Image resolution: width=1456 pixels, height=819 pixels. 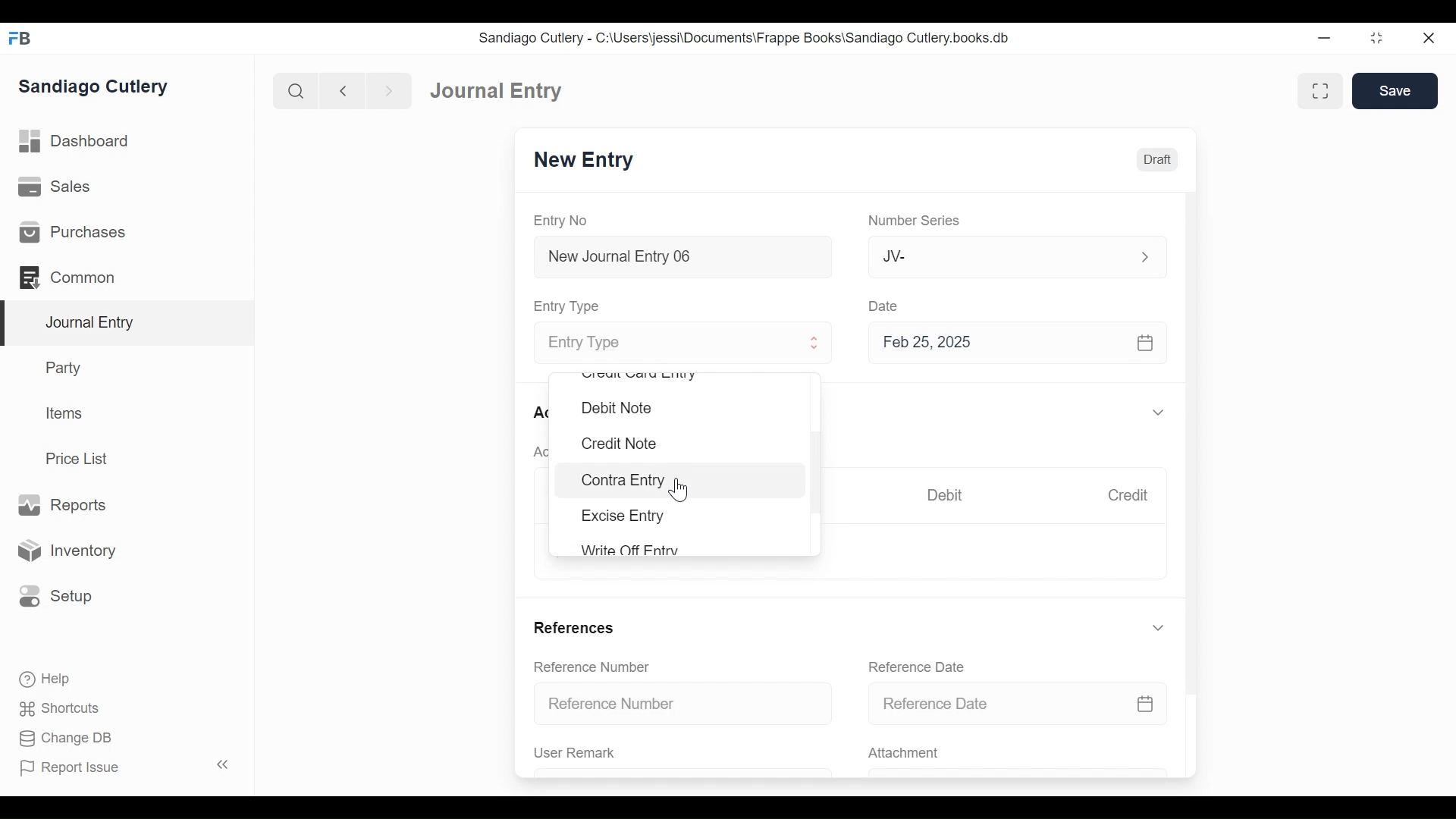 What do you see at coordinates (1145, 257) in the screenshot?
I see `Expand` at bounding box center [1145, 257].